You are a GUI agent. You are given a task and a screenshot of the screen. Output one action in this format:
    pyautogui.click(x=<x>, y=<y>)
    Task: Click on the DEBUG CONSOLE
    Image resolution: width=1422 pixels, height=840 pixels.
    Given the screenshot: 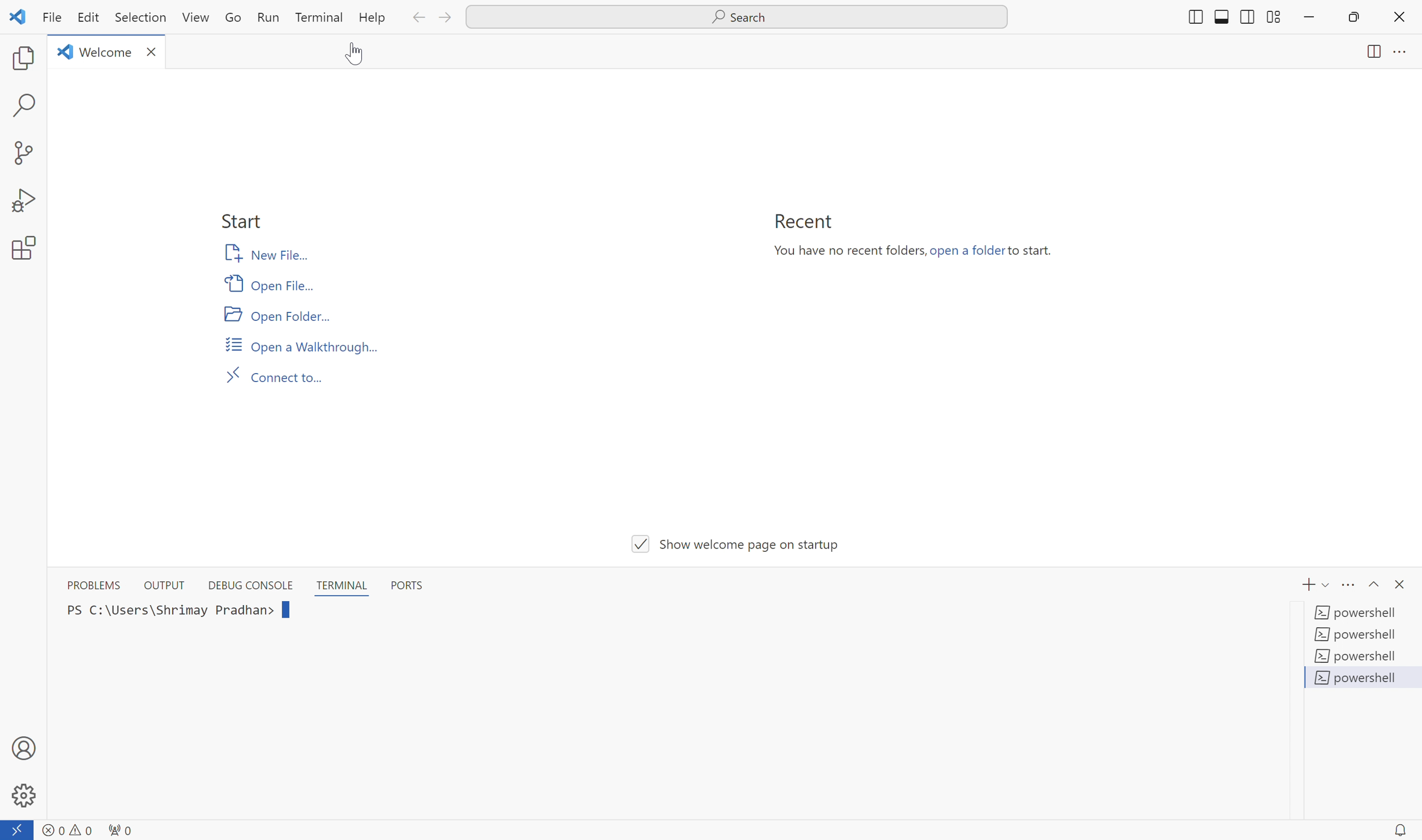 What is the action you would take?
    pyautogui.click(x=249, y=583)
    